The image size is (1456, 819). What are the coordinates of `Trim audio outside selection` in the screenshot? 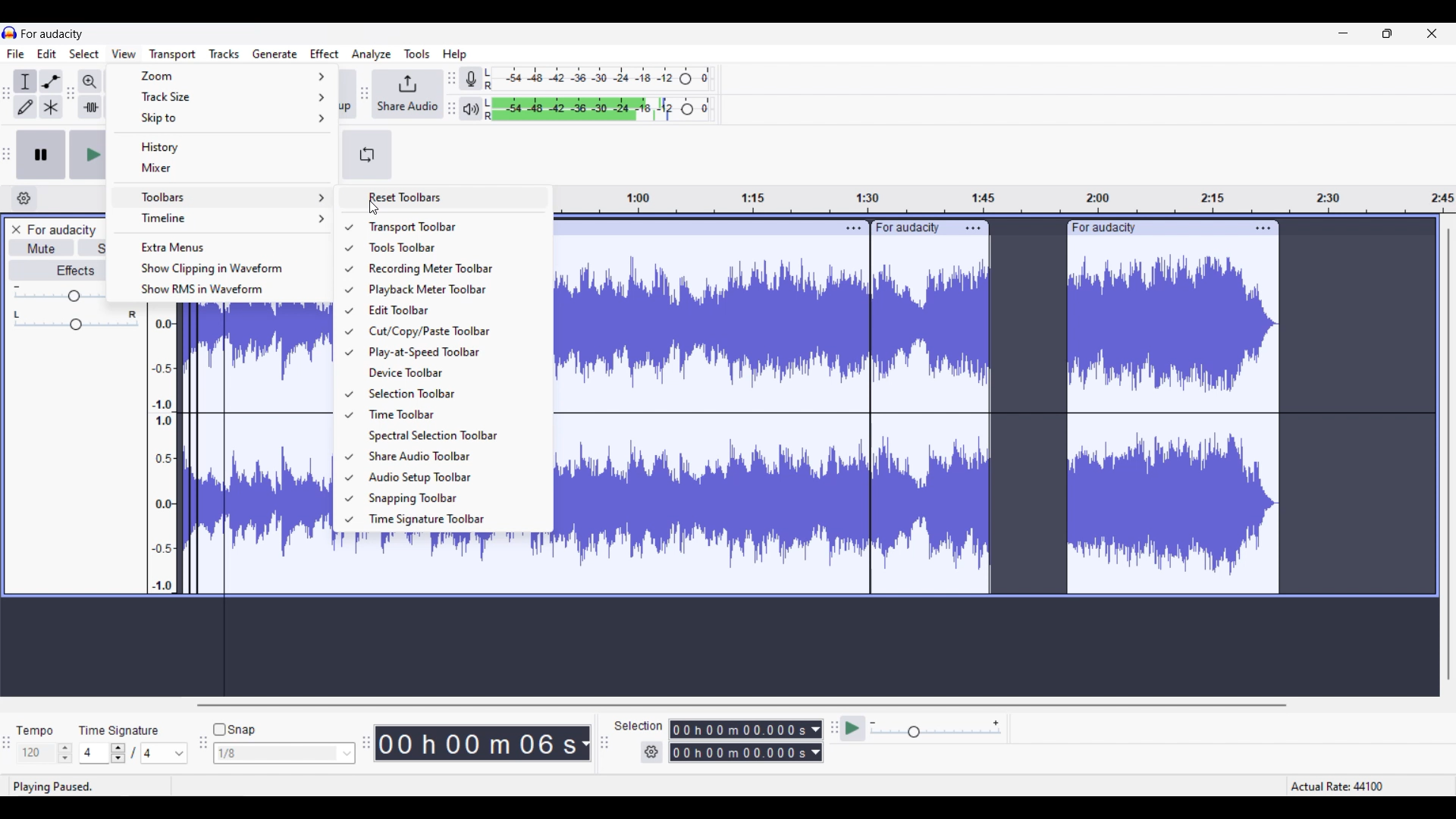 It's located at (90, 107).